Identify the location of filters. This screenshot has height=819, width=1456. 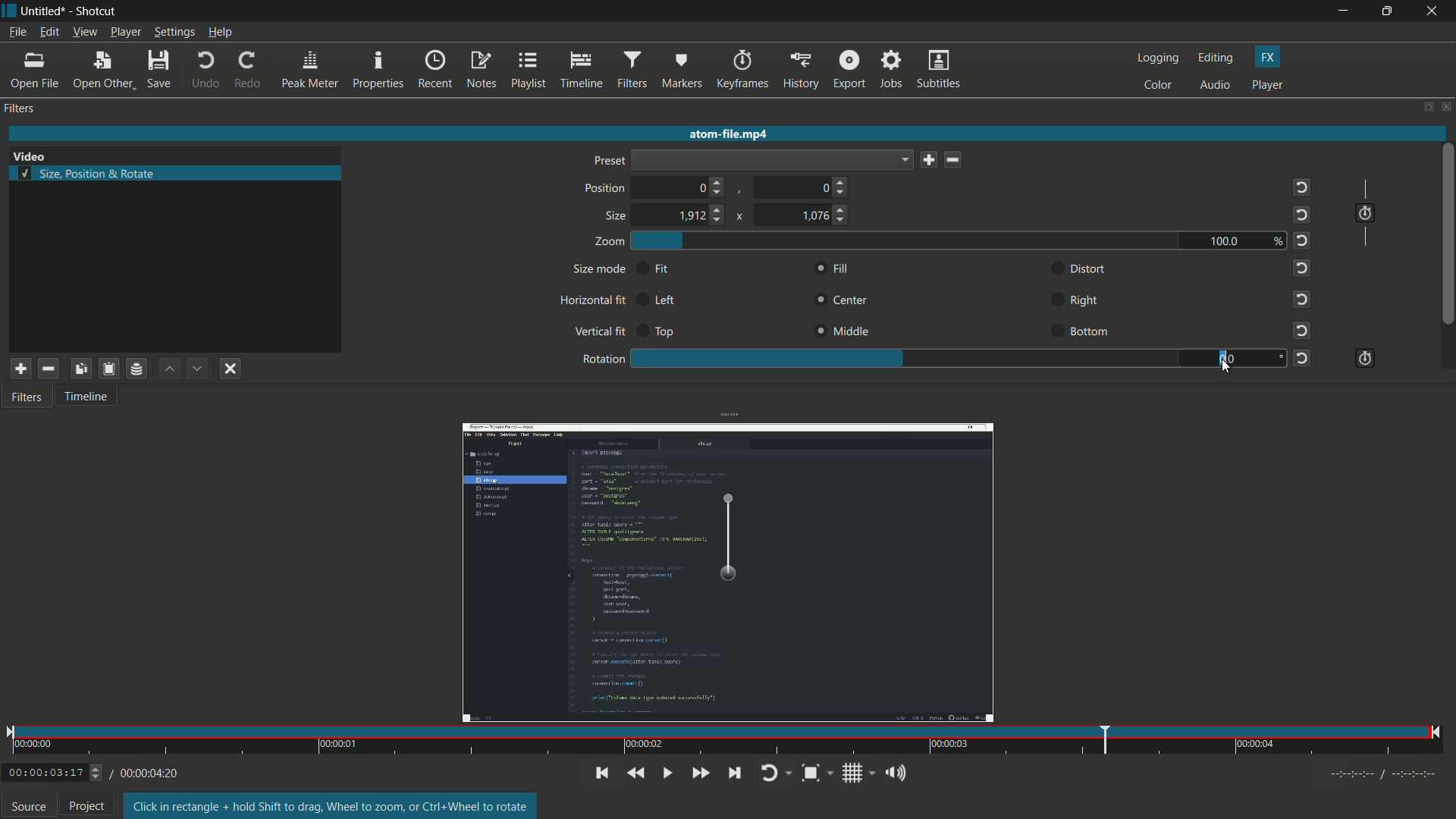
(630, 71).